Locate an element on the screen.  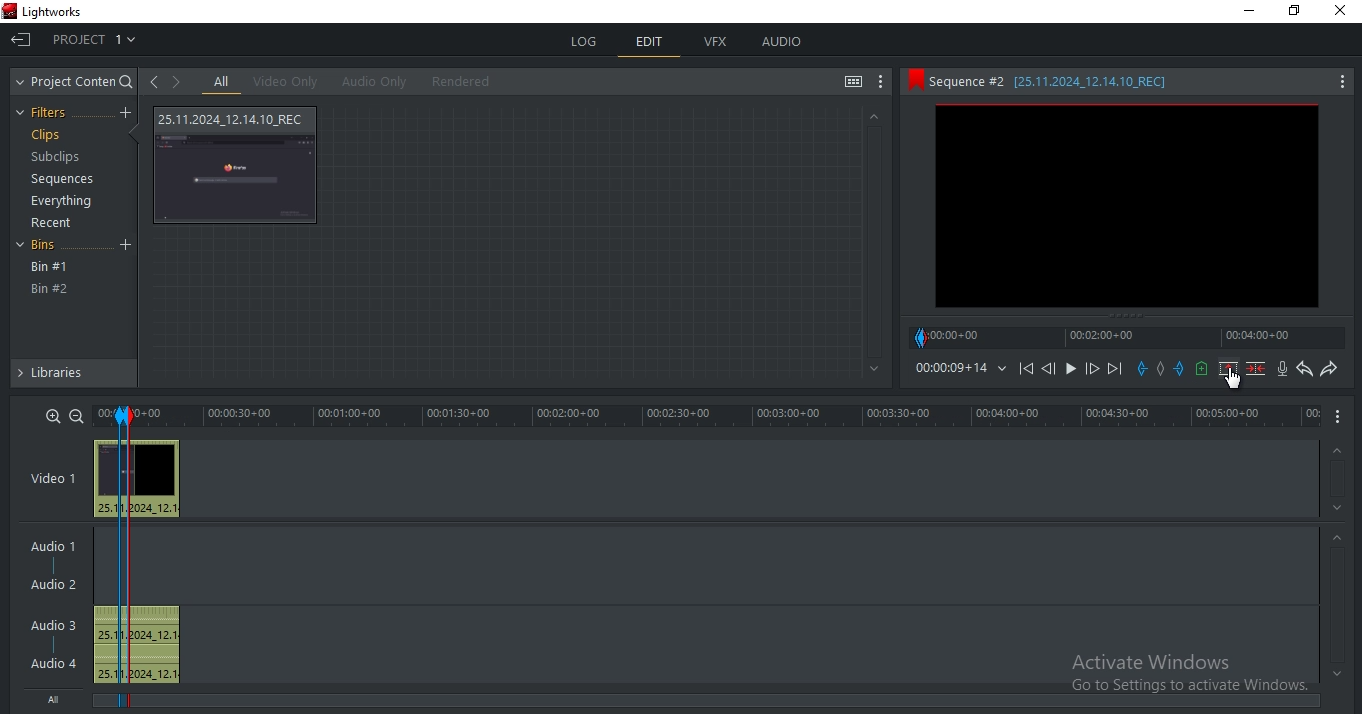
Audio 3 is located at coordinates (51, 623).